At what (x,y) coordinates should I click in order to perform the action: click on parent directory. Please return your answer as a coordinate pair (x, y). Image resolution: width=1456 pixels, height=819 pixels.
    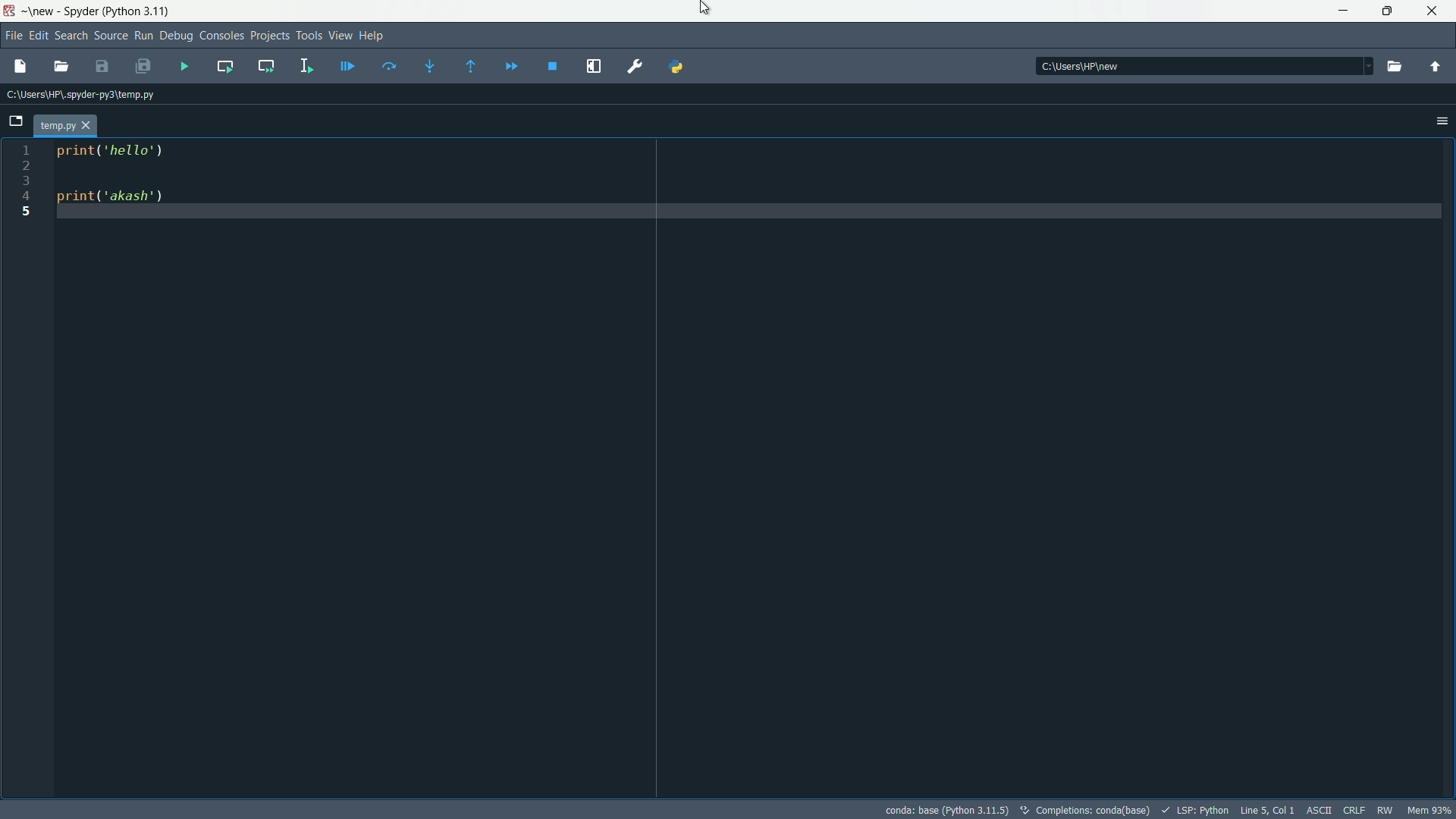
    Looking at the image, I should click on (1435, 67).